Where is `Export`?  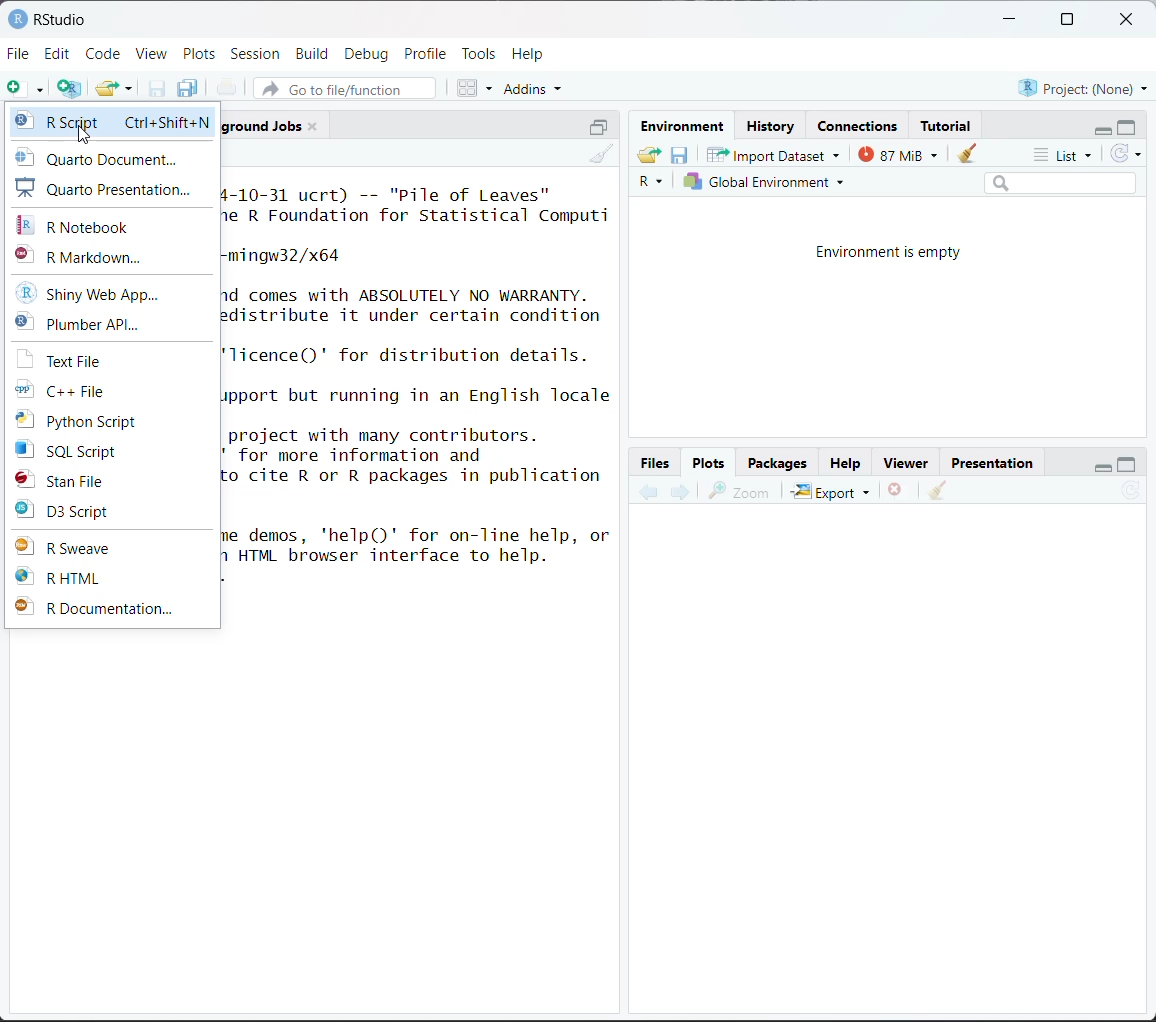
Export is located at coordinates (832, 491).